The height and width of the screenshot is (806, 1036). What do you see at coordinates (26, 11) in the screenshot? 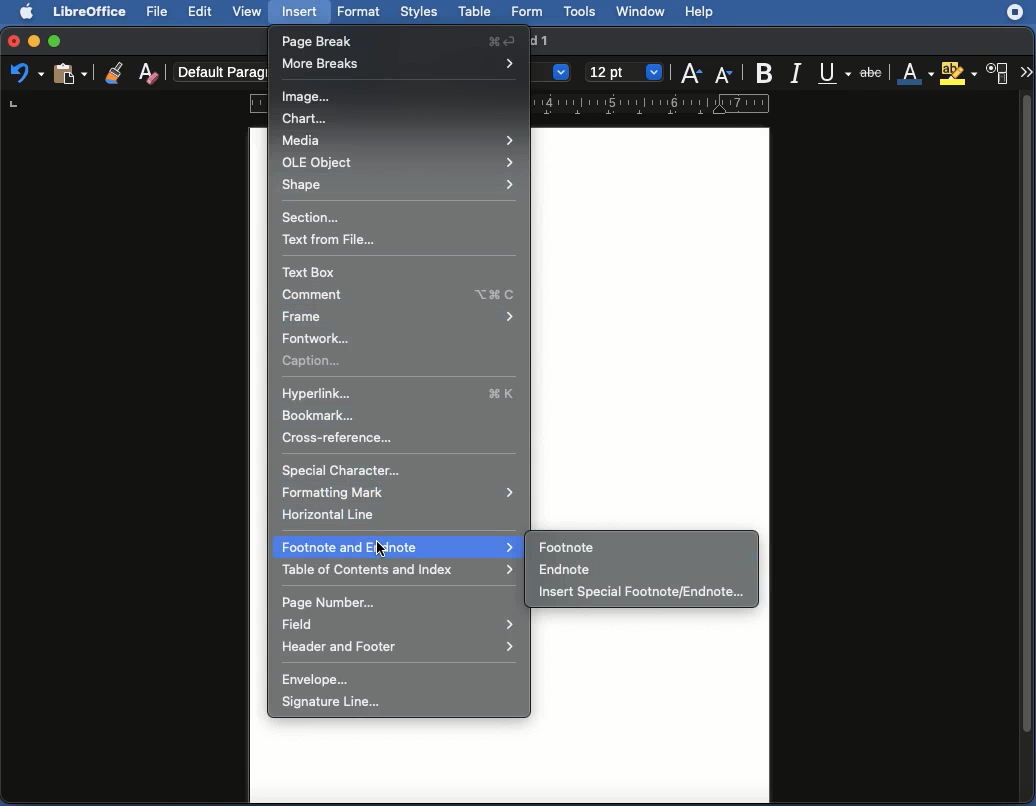
I see `Apple Logo` at bounding box center [26, 11].